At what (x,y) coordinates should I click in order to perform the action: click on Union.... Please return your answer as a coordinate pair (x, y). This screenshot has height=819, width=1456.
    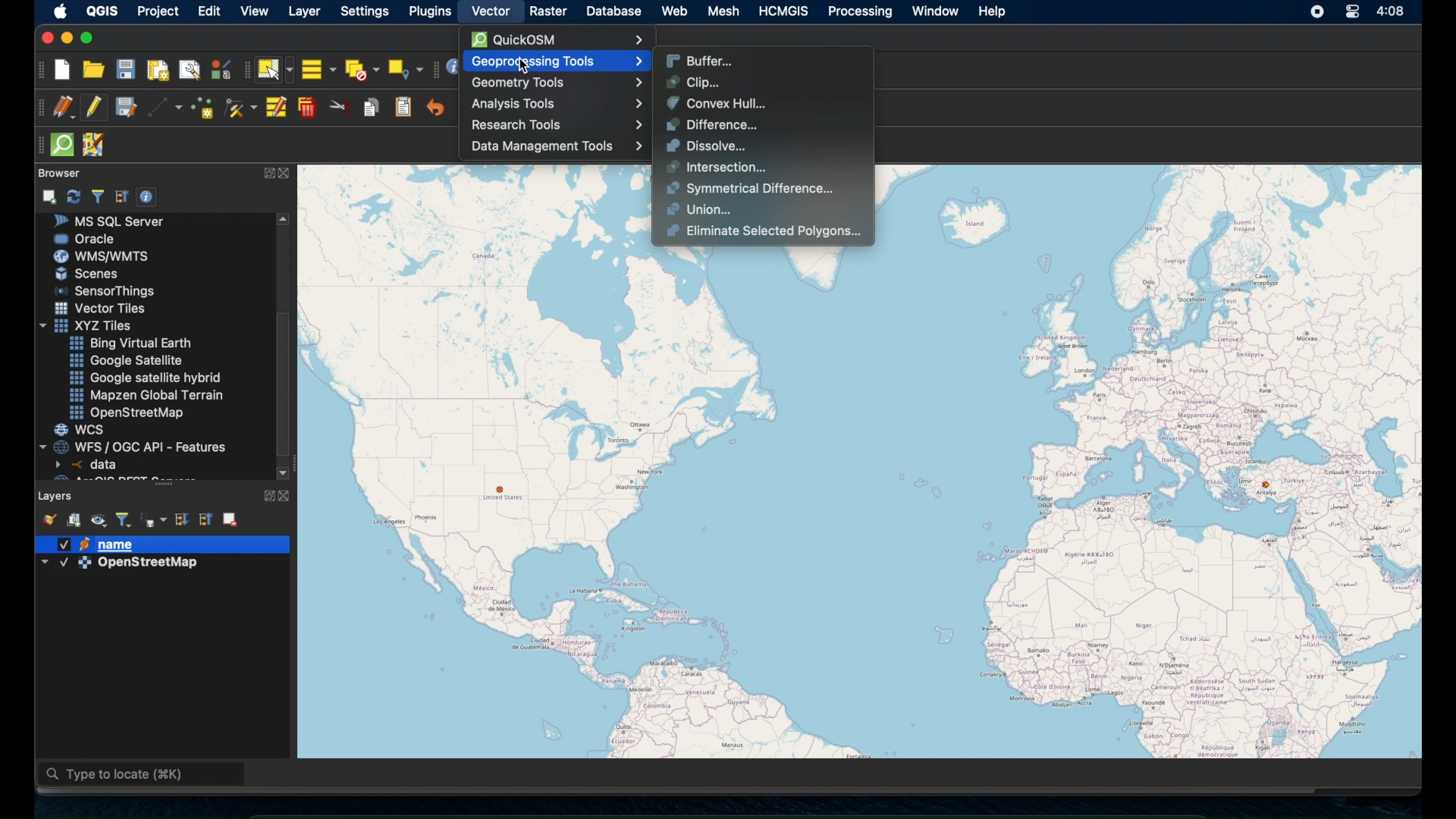
    Looking at the image, I should click on (699, 209).